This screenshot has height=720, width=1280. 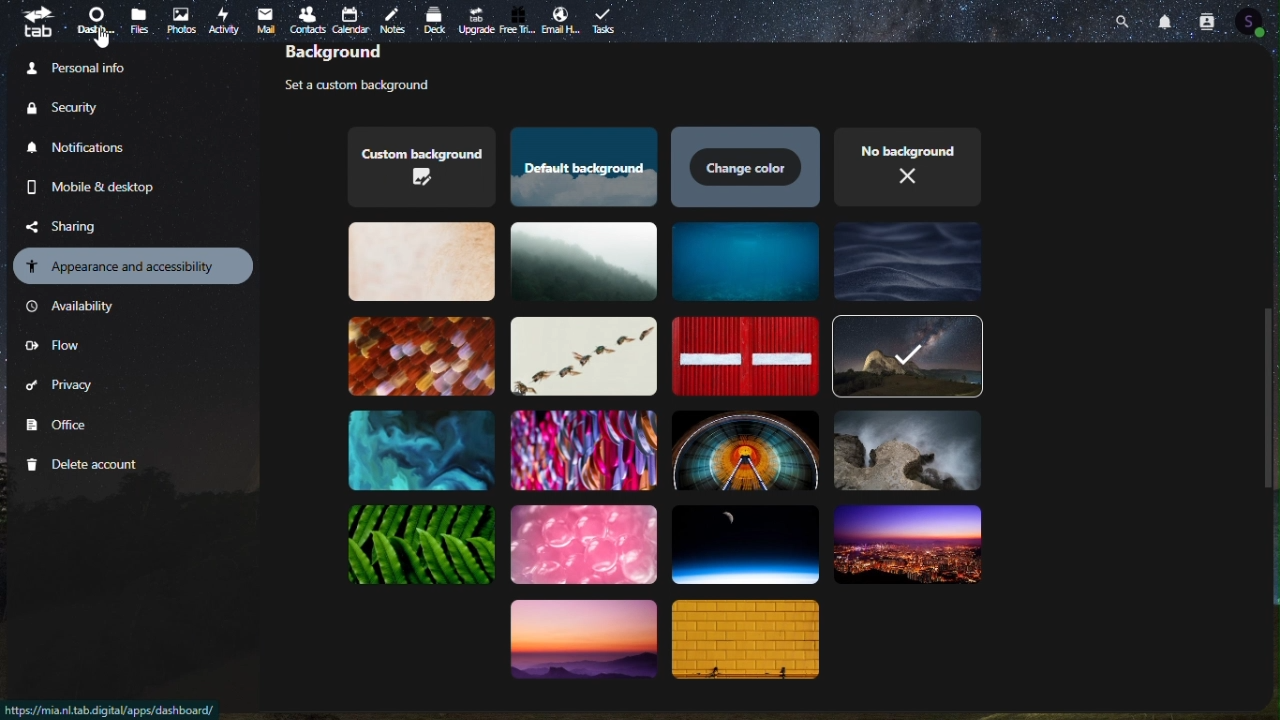 I want to click on Activity, so click(x=225, y=19).